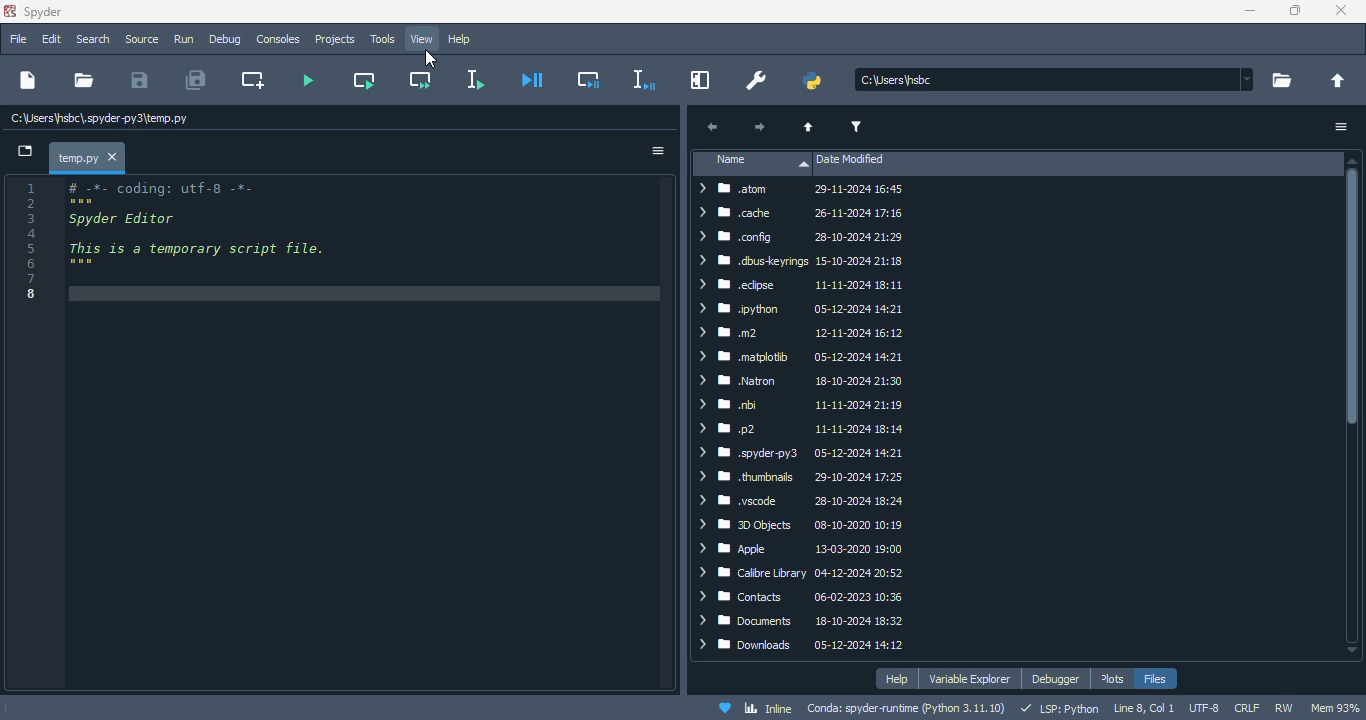  Describe the element at coordinates (52, 38) in the screenshot. I see `edit` at that location.